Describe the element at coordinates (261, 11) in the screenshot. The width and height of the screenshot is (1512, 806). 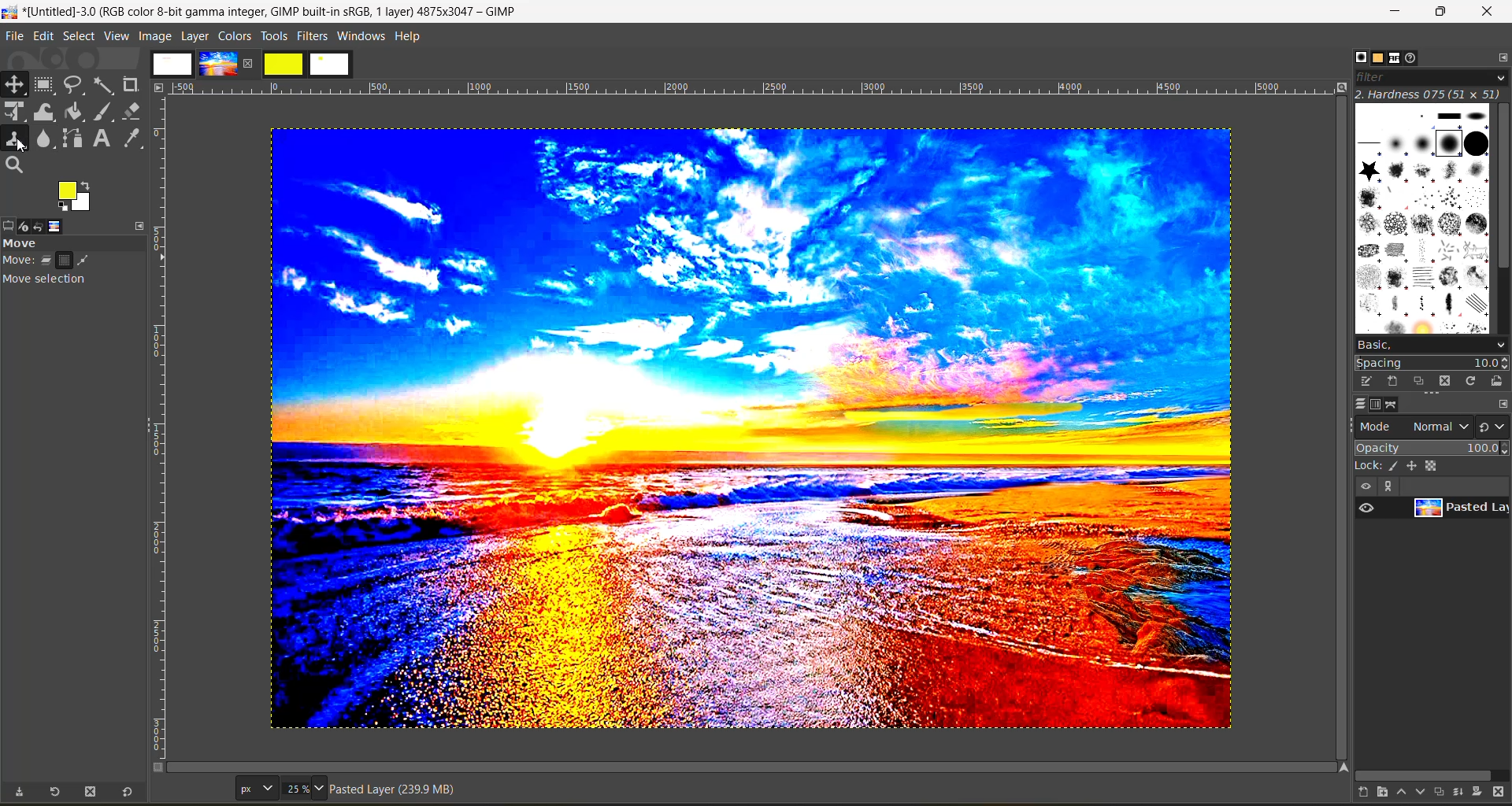
I see `app name and file name` at that location.